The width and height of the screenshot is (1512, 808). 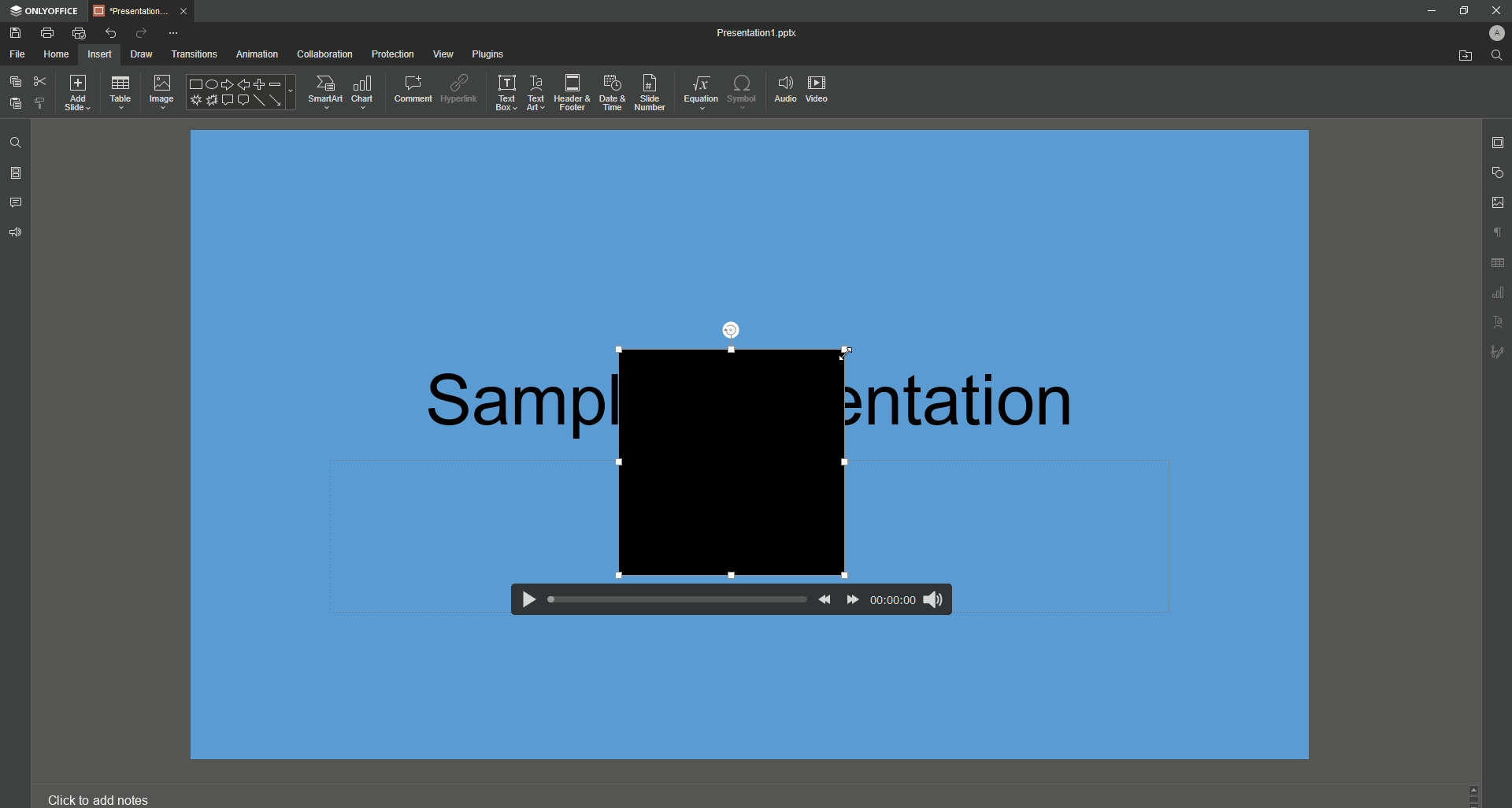 What do you see at coordinates (743, 91) in the screenshot?
I see `Symbol` at bounding box center [743, 91].